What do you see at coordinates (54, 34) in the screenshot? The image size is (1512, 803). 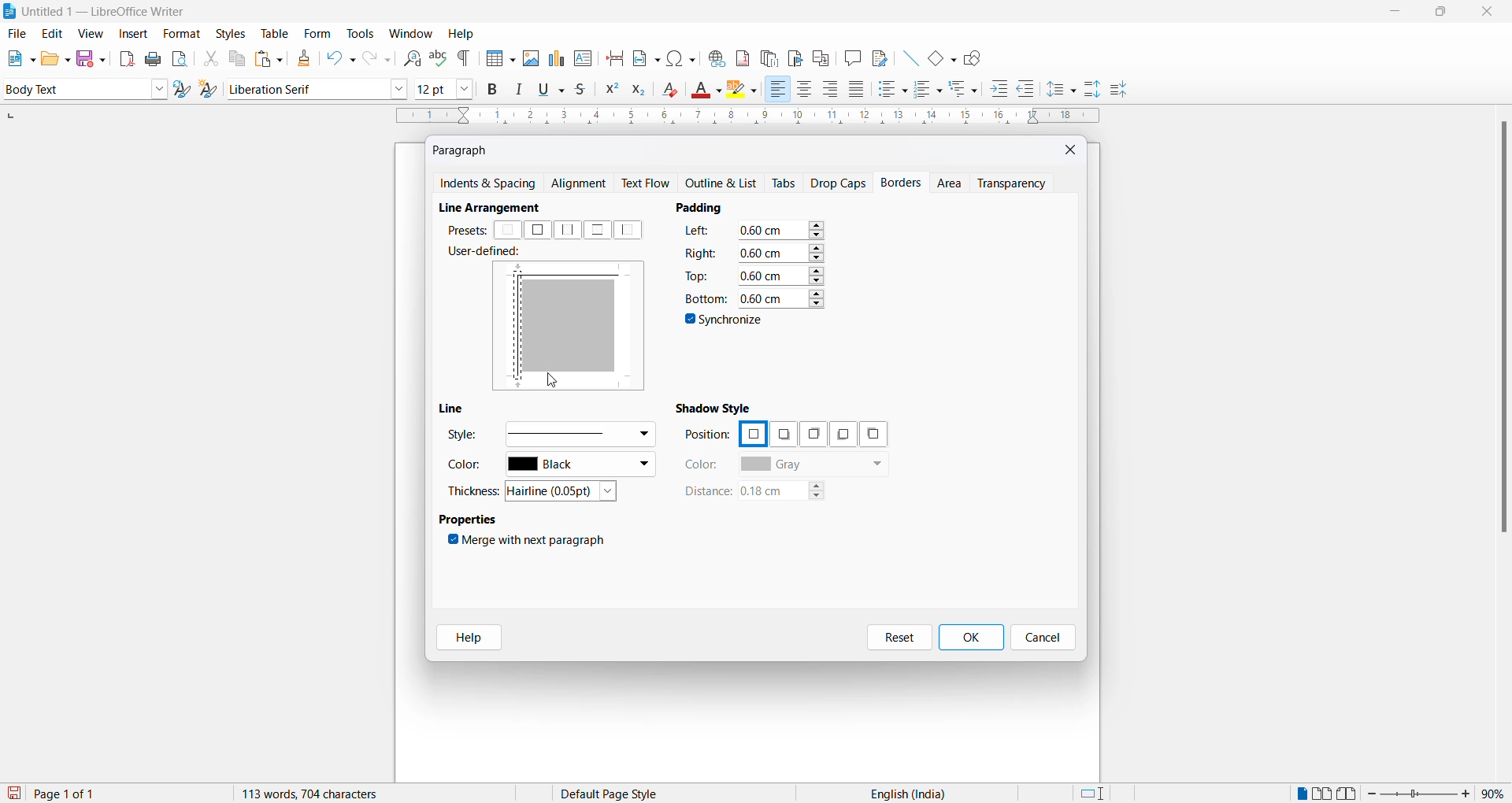 I see `edit` at bounding box center [54, 34].